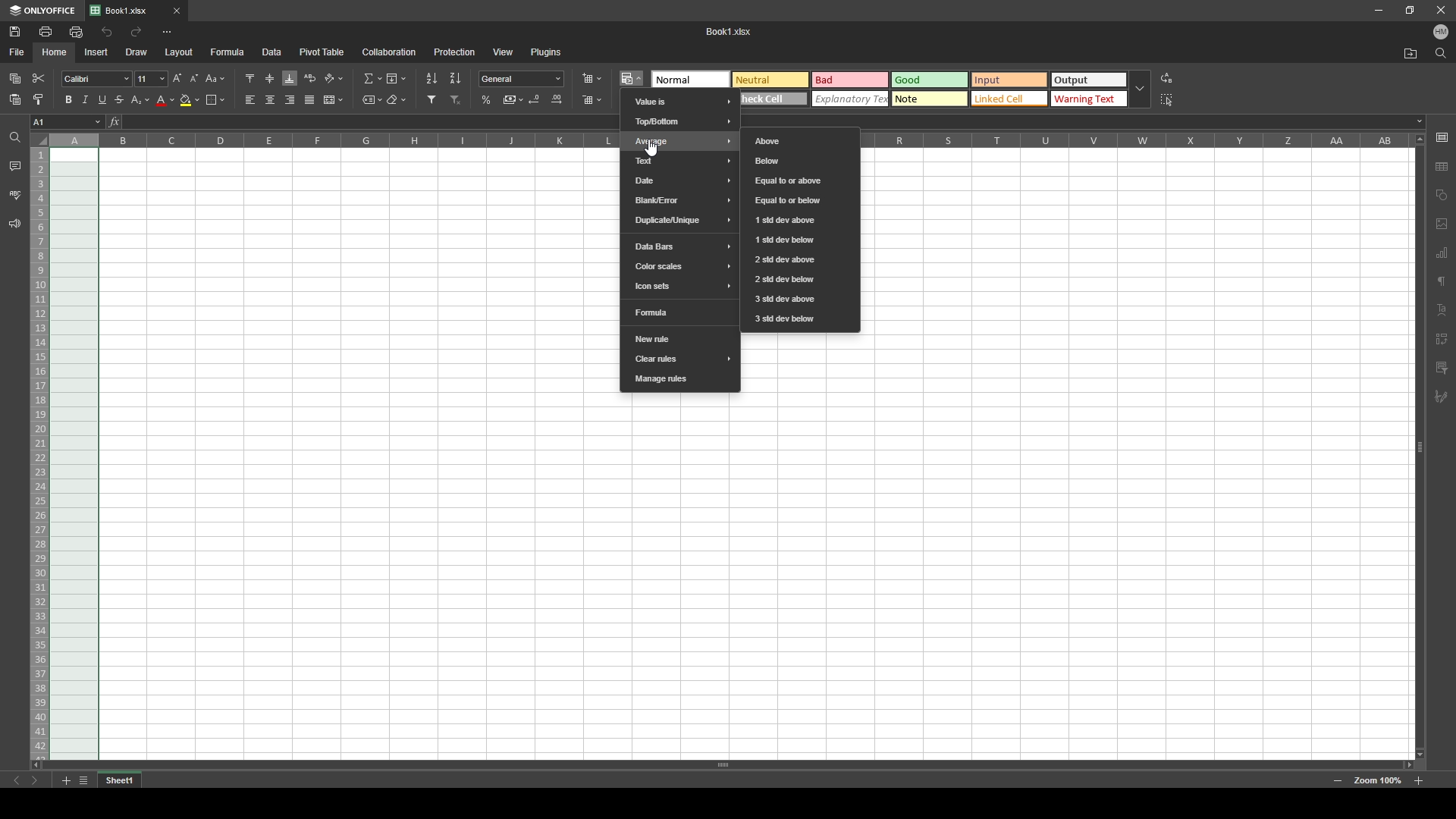 Image resolution: width=1456 pixels, height=819 pixels. What do you see at coordinates (83, 781) in the screenshot?
I see `list of sheets` at bounding box center [83, 781].